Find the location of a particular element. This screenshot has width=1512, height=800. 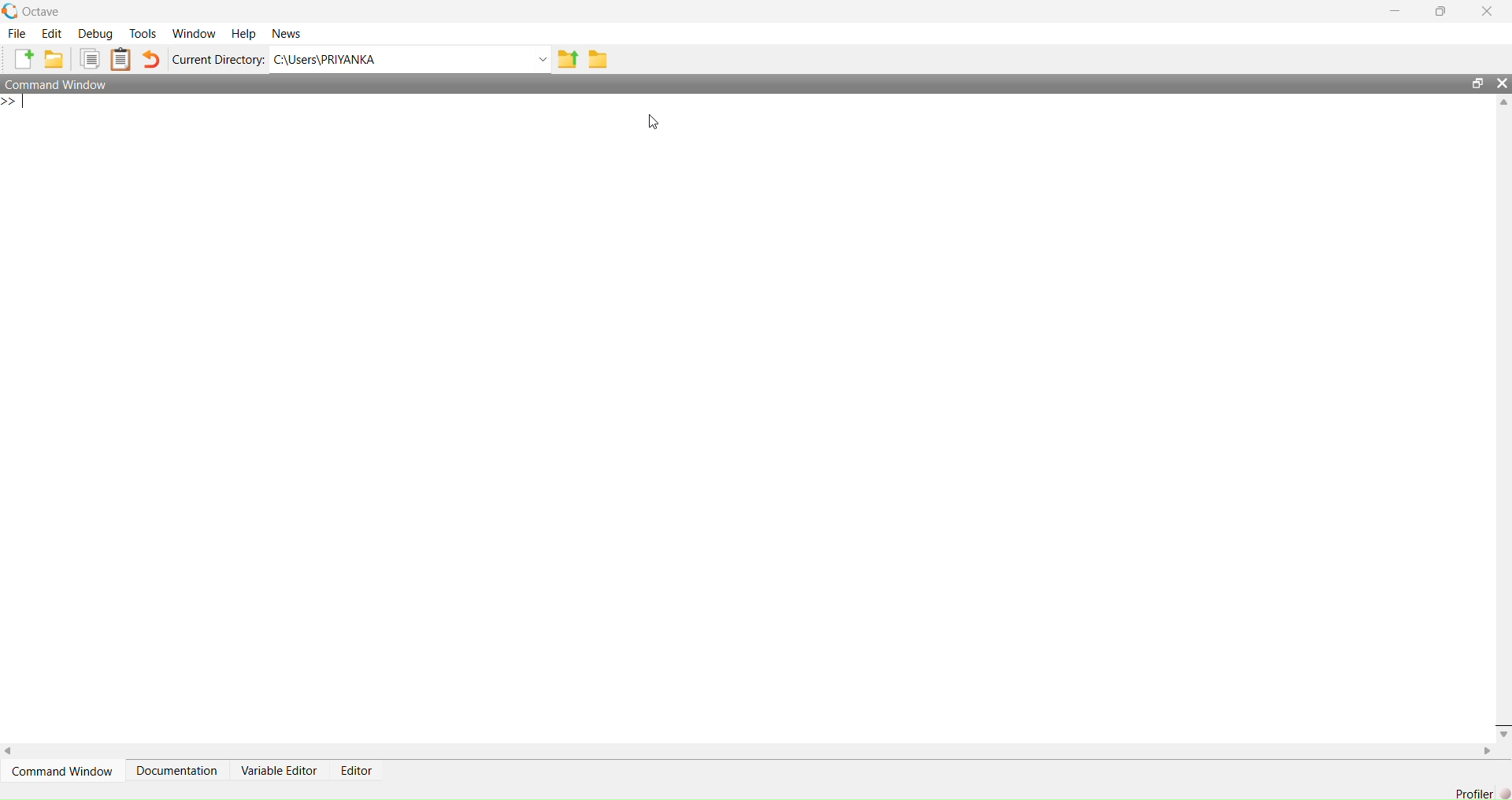

Command Window is located at coordinates (66, 771).